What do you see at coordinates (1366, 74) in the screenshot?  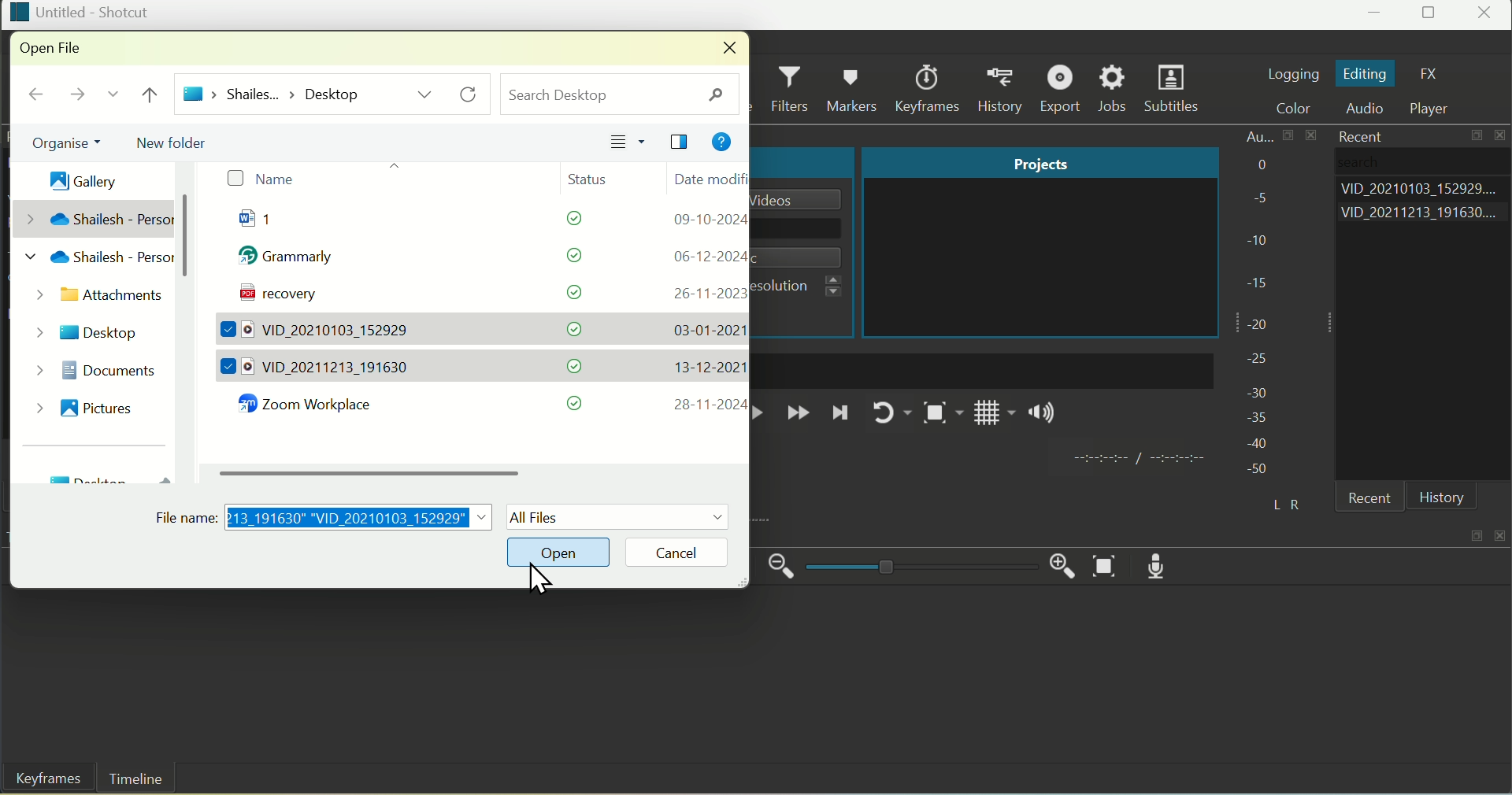 I see `Editing` at bounding box center [1366, 74].